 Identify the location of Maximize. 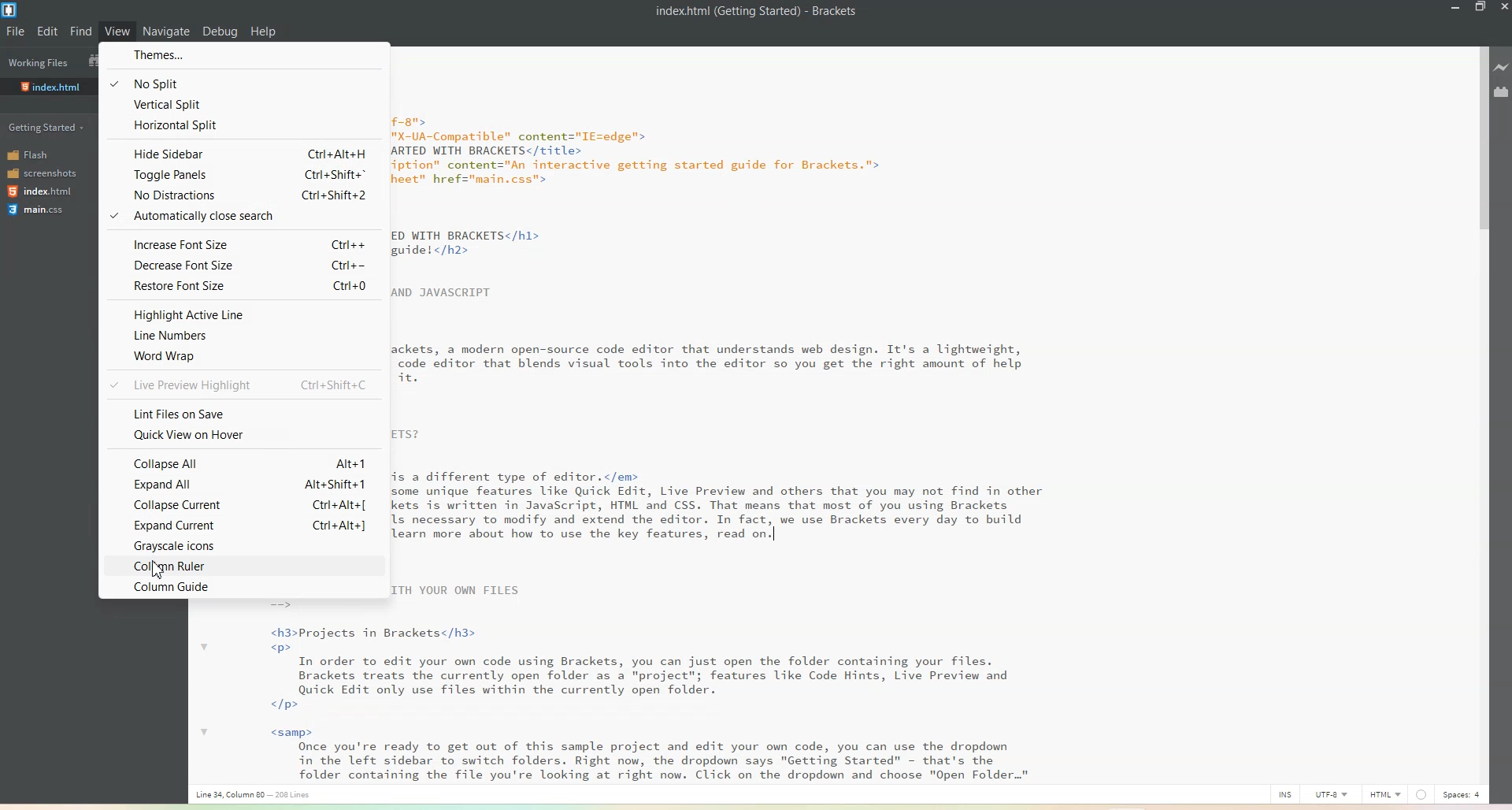
(1480, 8).